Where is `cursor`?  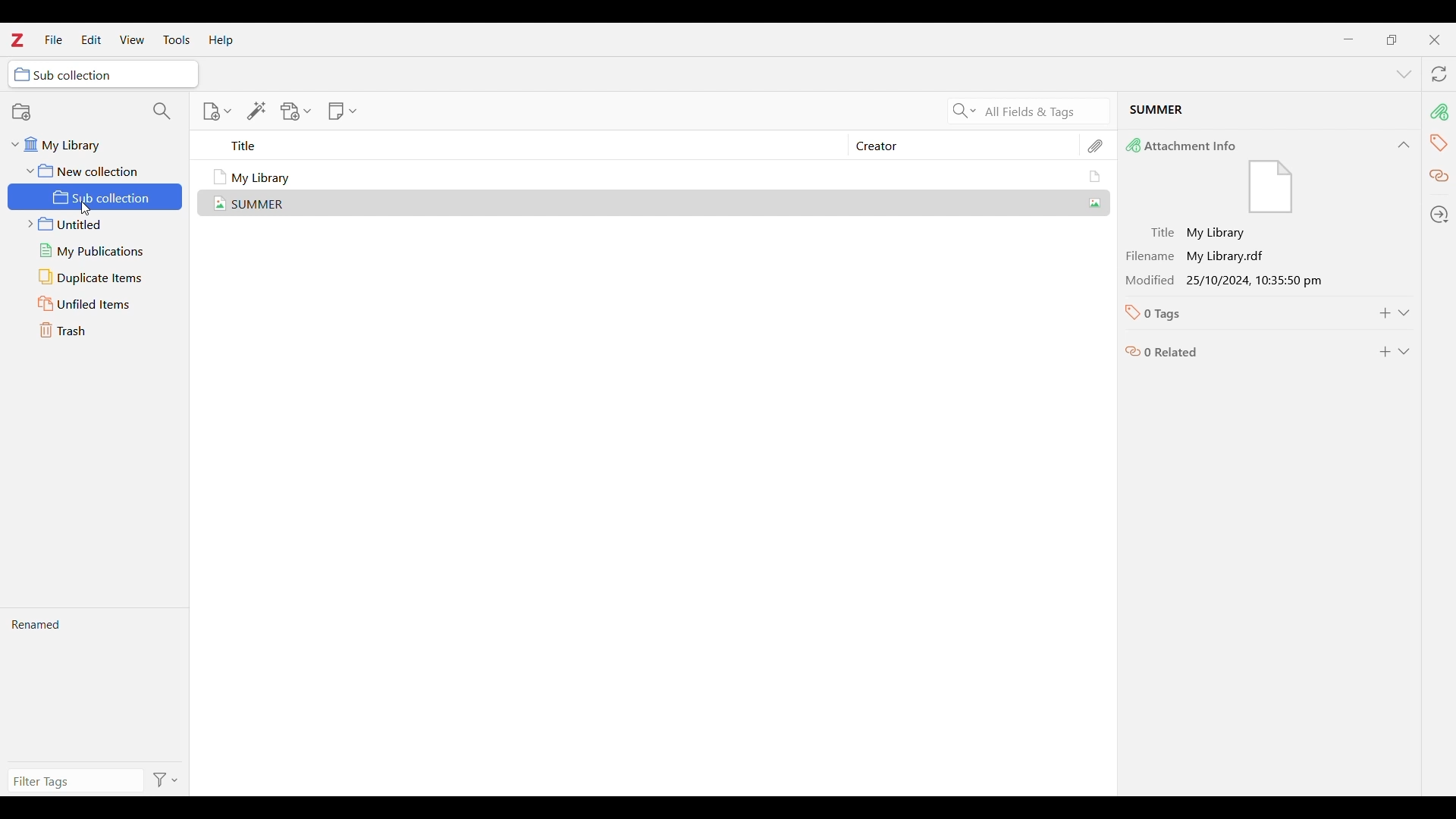 cursor is located at coordinates (85, 209).